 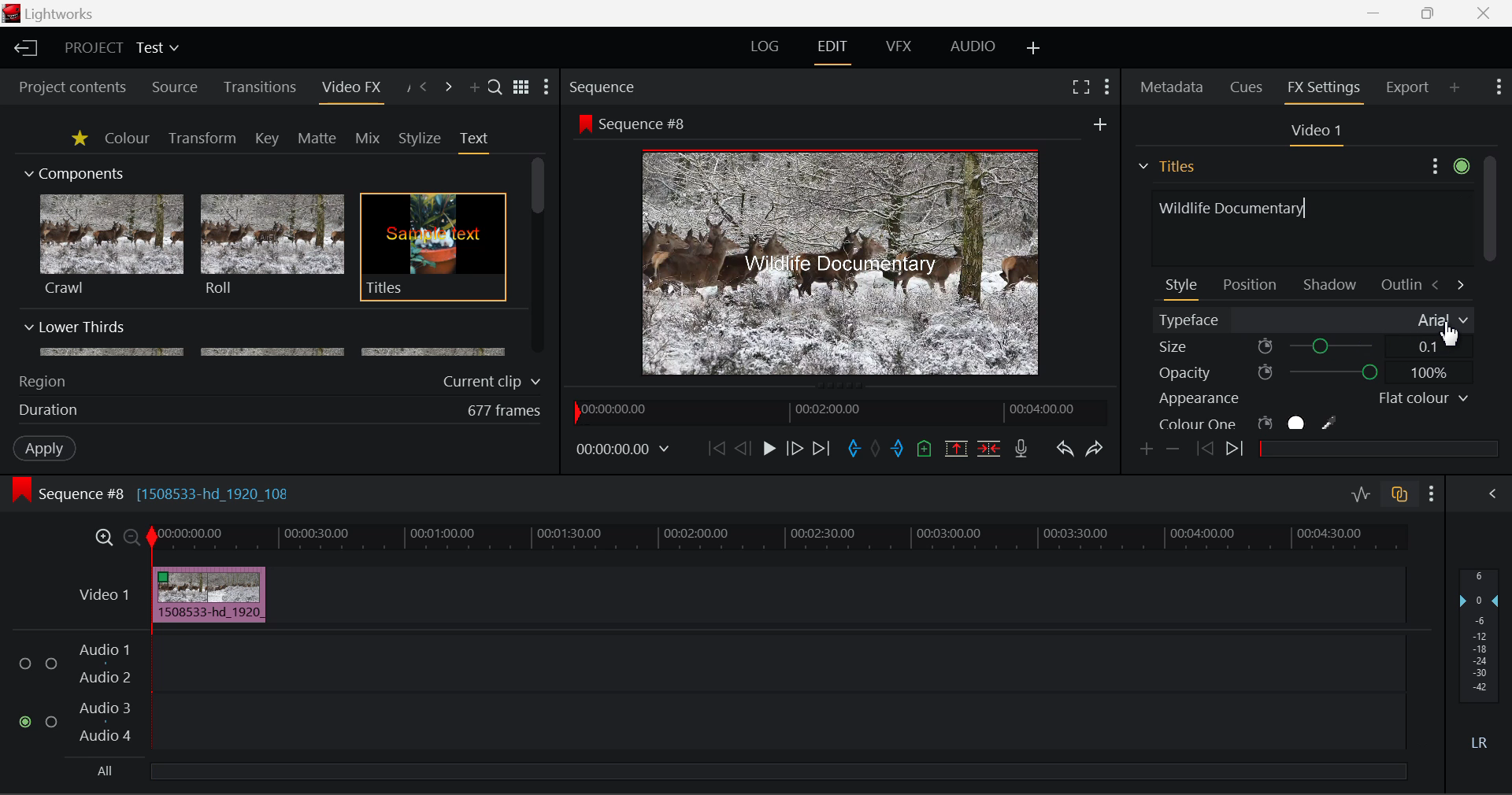 I want to click on Show Settings, so click(x=1432, y=494).